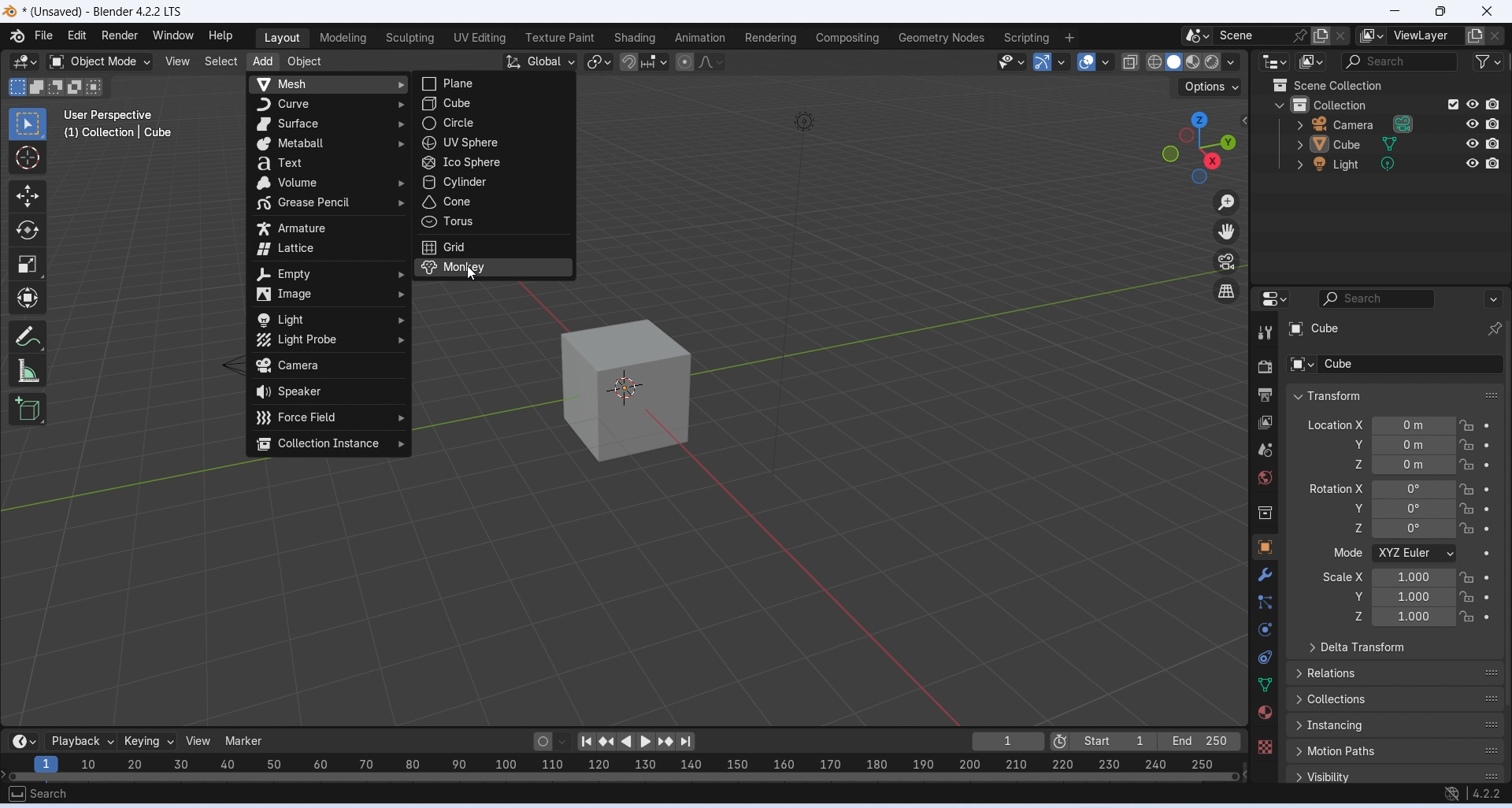 This screenshot has width=1512, height=808. What do you see at coordinates (1414, 576) in the screenshot?
I see `scale` at bounding box center [1414, 576].